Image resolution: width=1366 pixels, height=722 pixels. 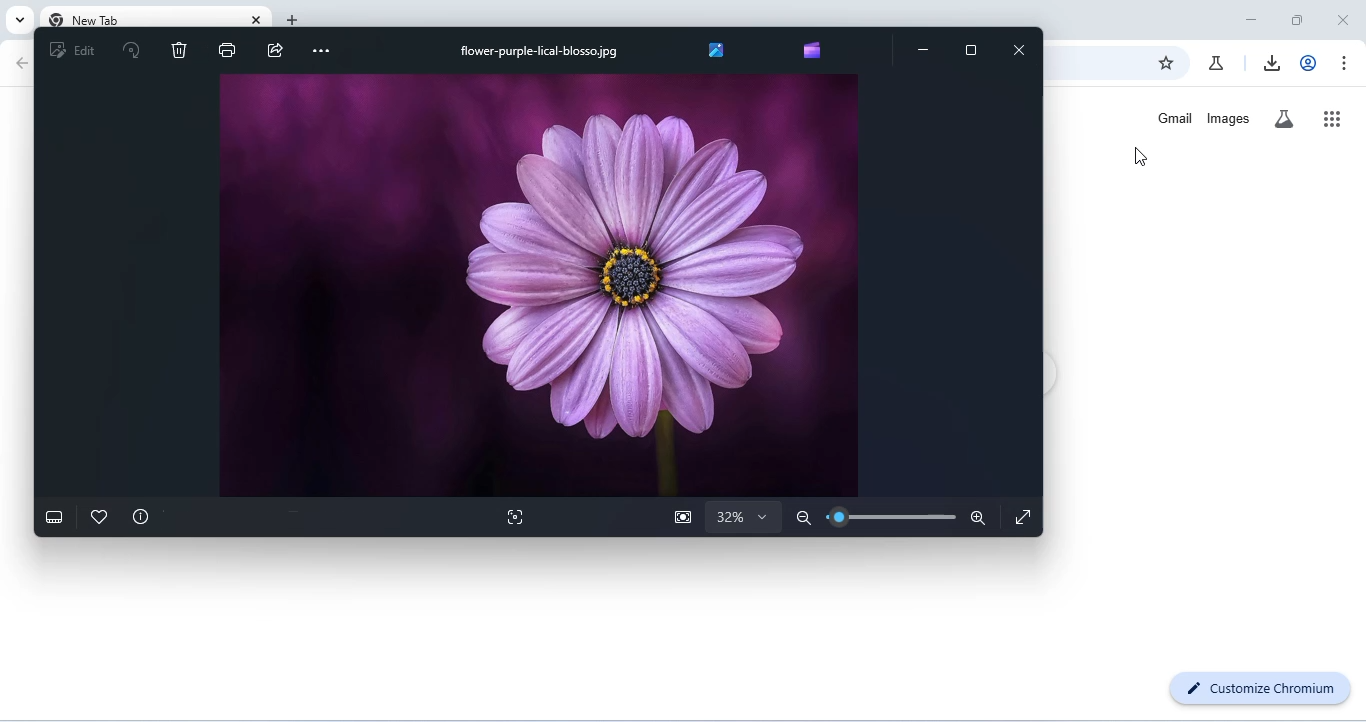 What do you see at coordinates (924, 50) in the screenshot?
I see `minimize` at bounding box center [924, 50].